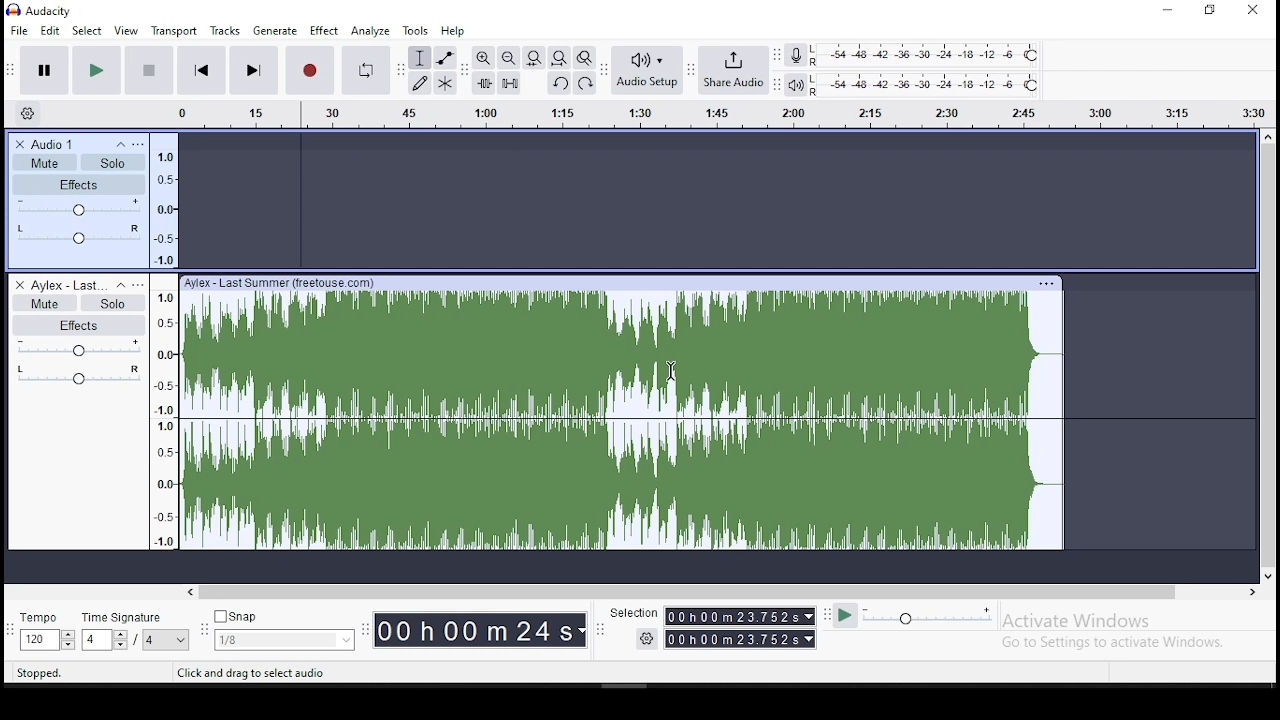 The width and height of the screenshot is (1280, 720). I want to click on solo, so click(110, 302).